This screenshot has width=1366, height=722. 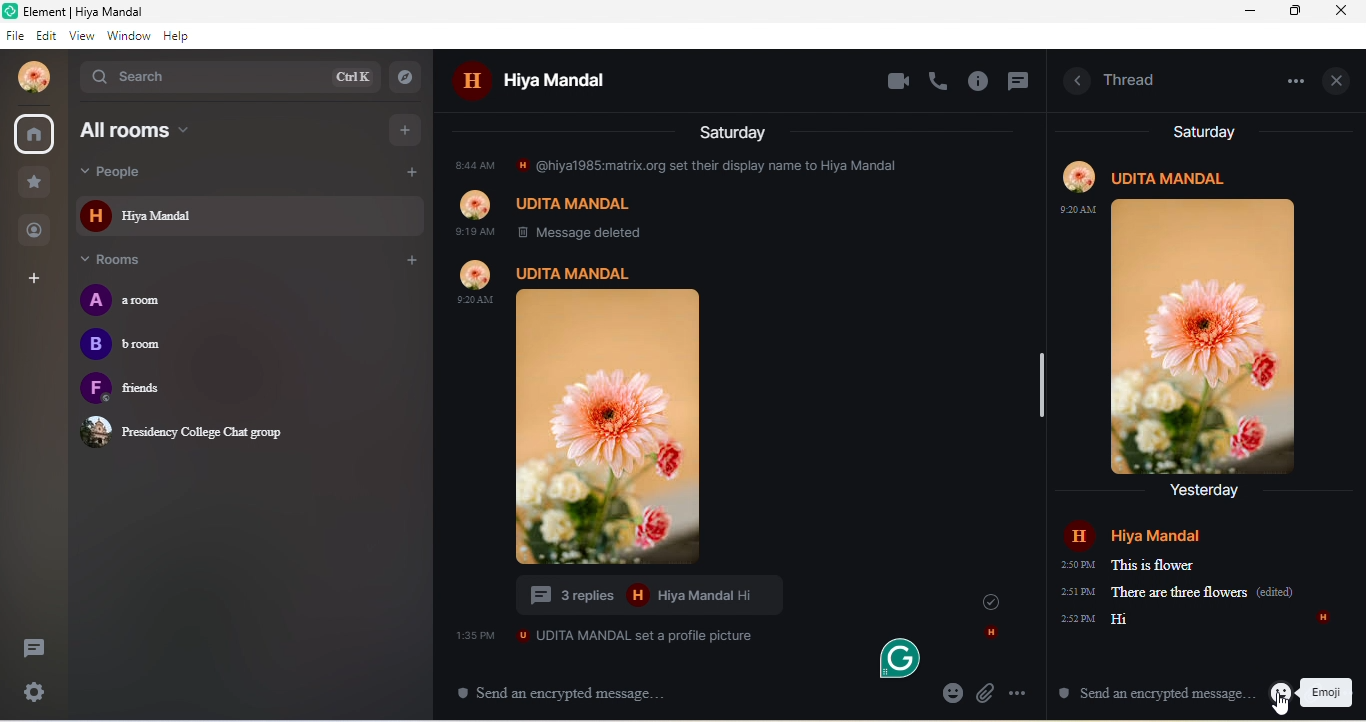 What do you see at coordinates (81, 35) in the screenshot?
I see `View` at bounding box center [81, 35].